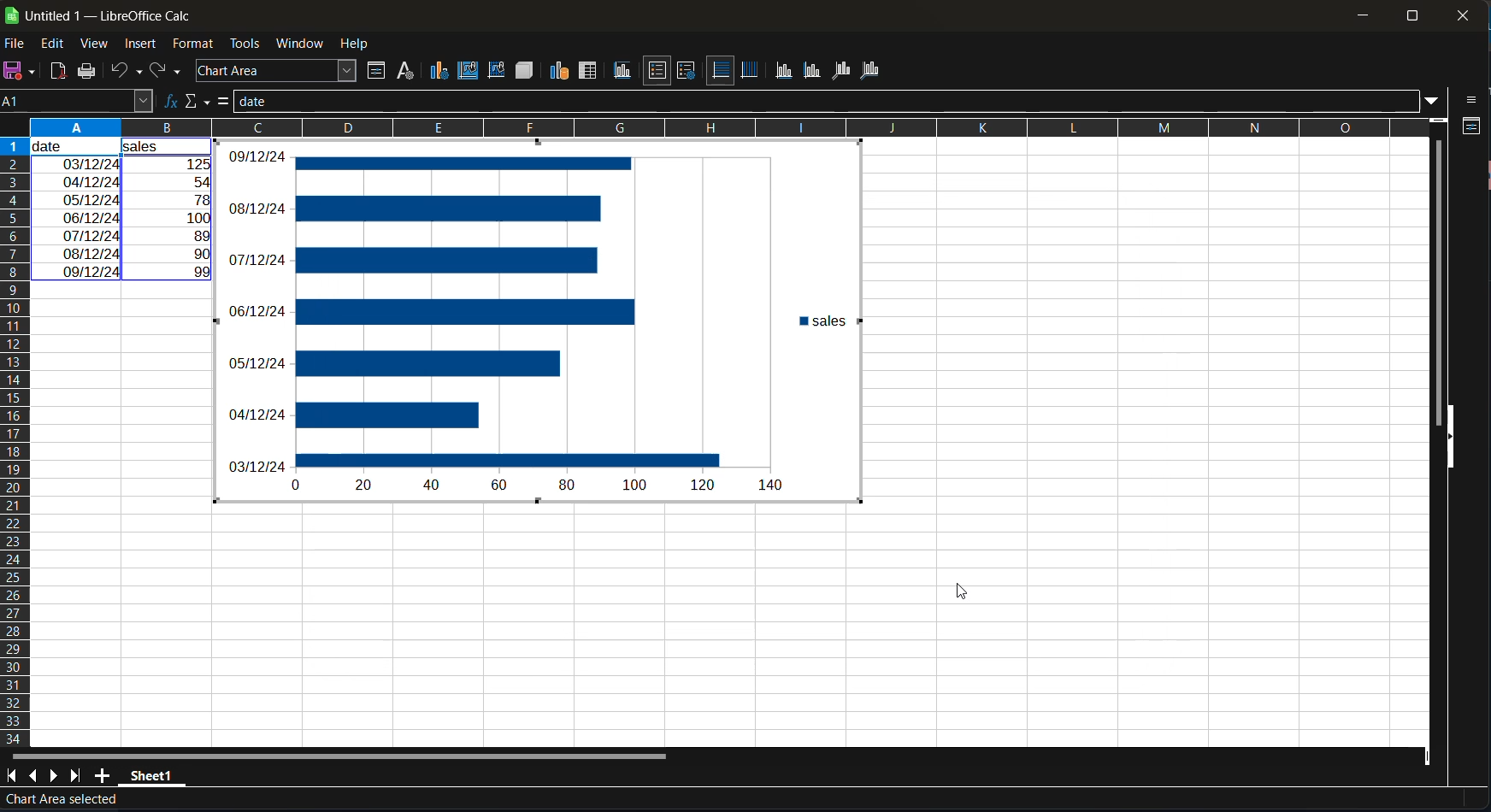  Describe the element at coordinates (1463, 15) in the screenshot. I see `close` at that location.